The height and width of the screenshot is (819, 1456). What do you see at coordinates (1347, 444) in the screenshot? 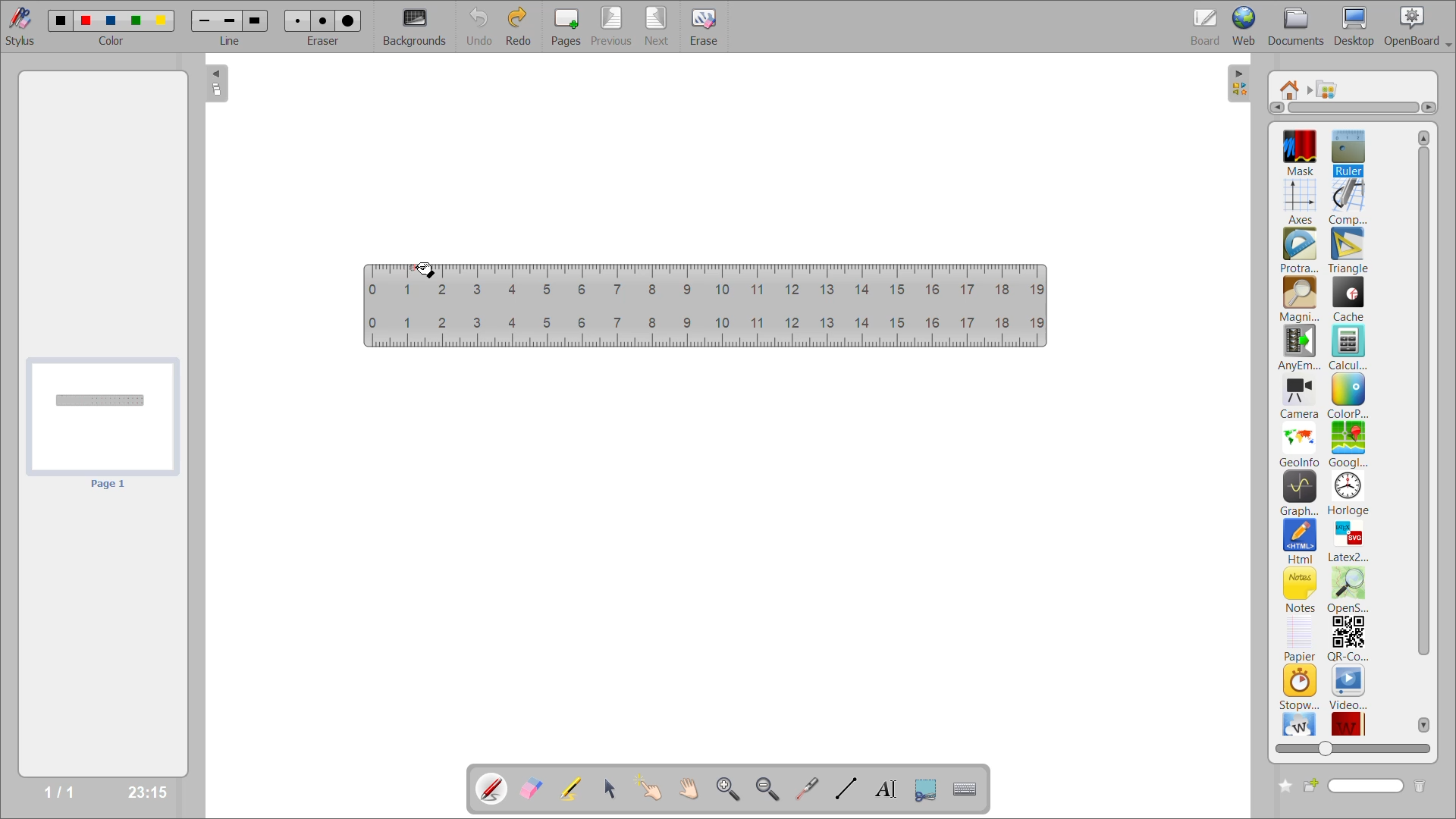
I see `googlemaps` at bounding box center [1347, 444].